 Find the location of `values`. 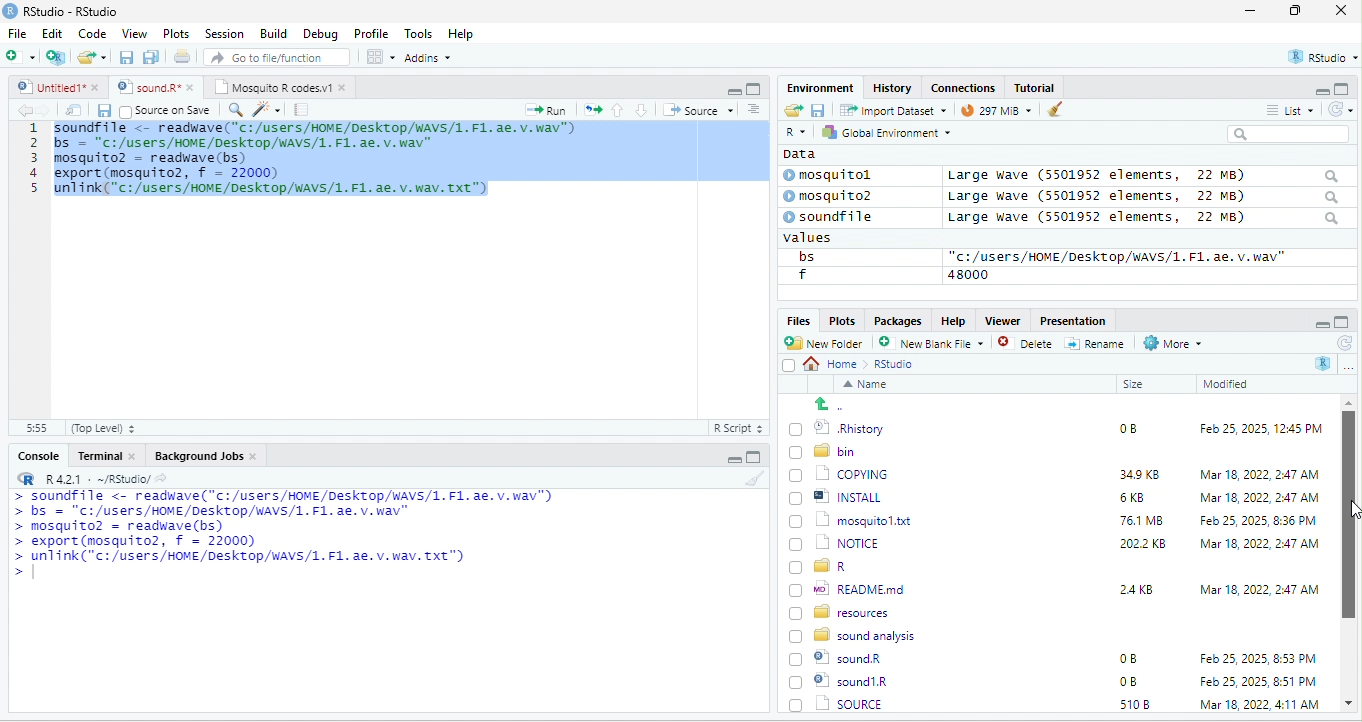

values is located at coordinates (818, 238).